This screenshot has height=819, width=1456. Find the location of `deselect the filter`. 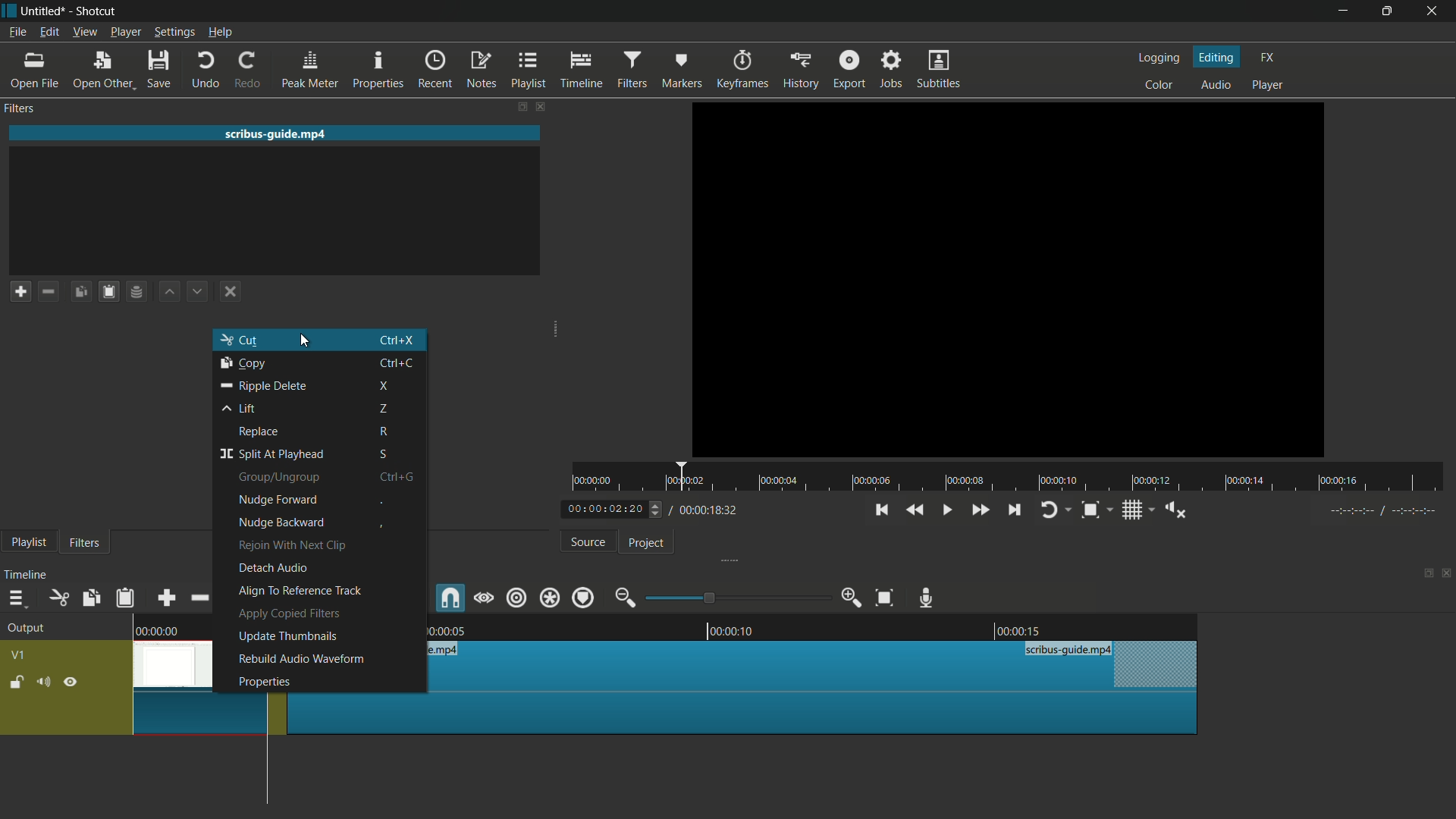

deselect the filter is located at coordinates (227, 293).